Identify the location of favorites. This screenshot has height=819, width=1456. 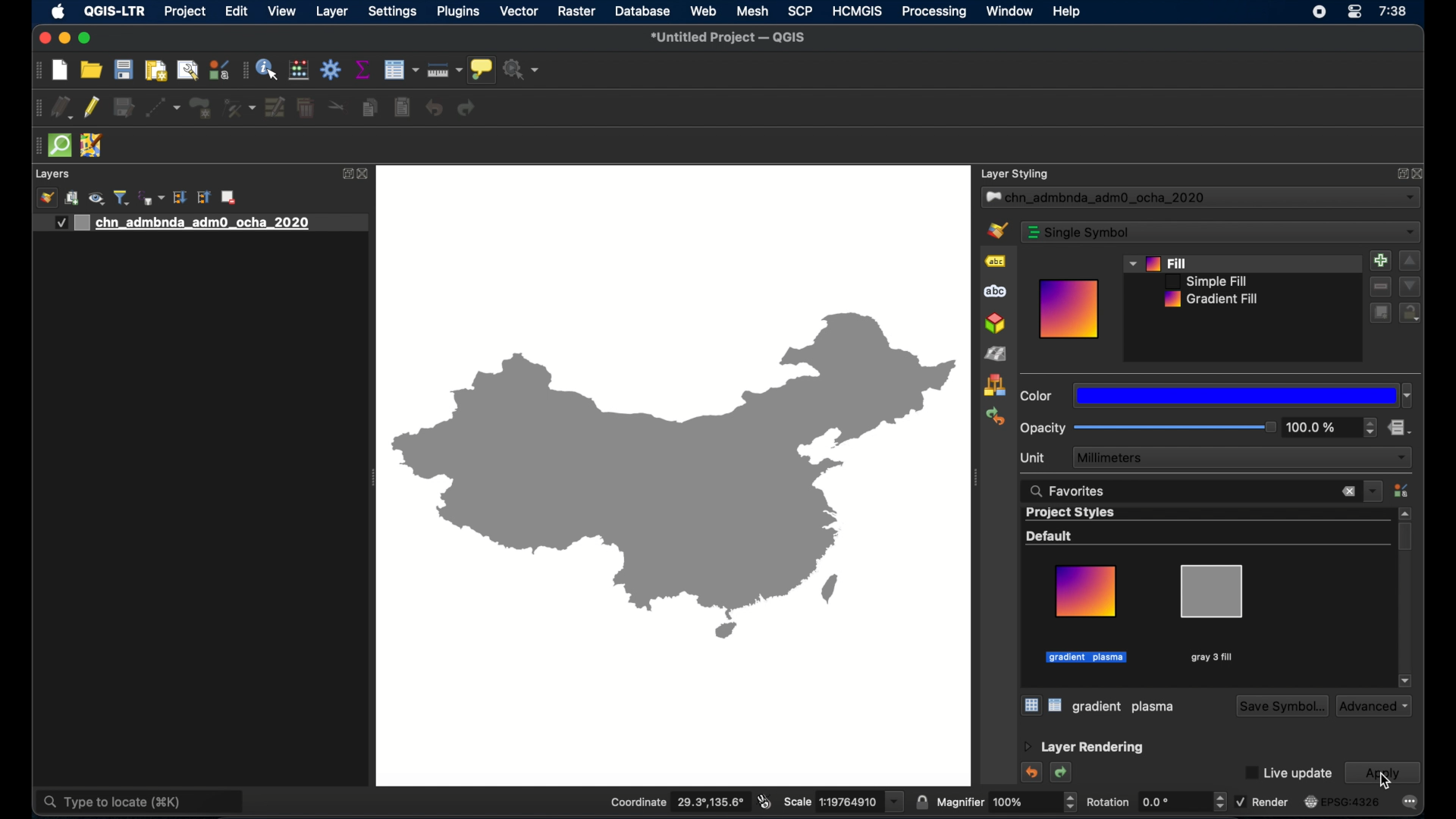
(1068, 491).